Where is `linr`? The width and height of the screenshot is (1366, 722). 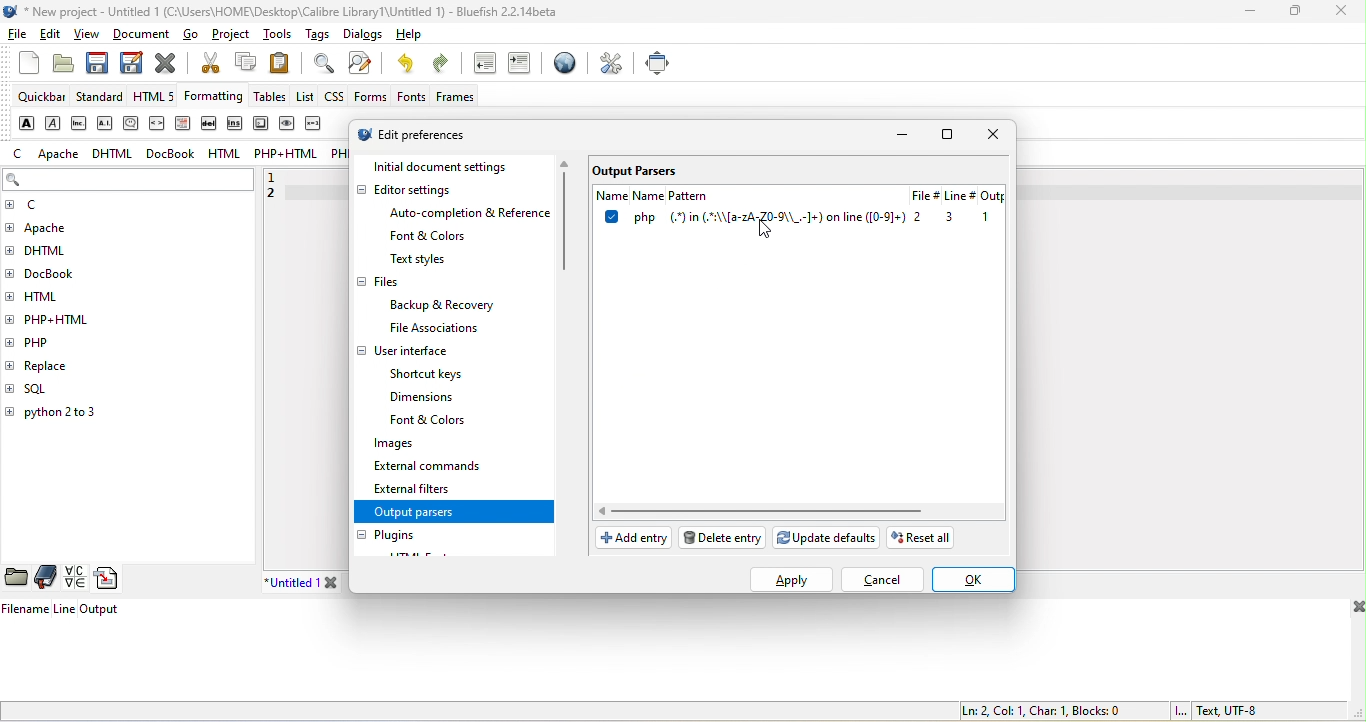
linr is located at coordinates (961, 205).